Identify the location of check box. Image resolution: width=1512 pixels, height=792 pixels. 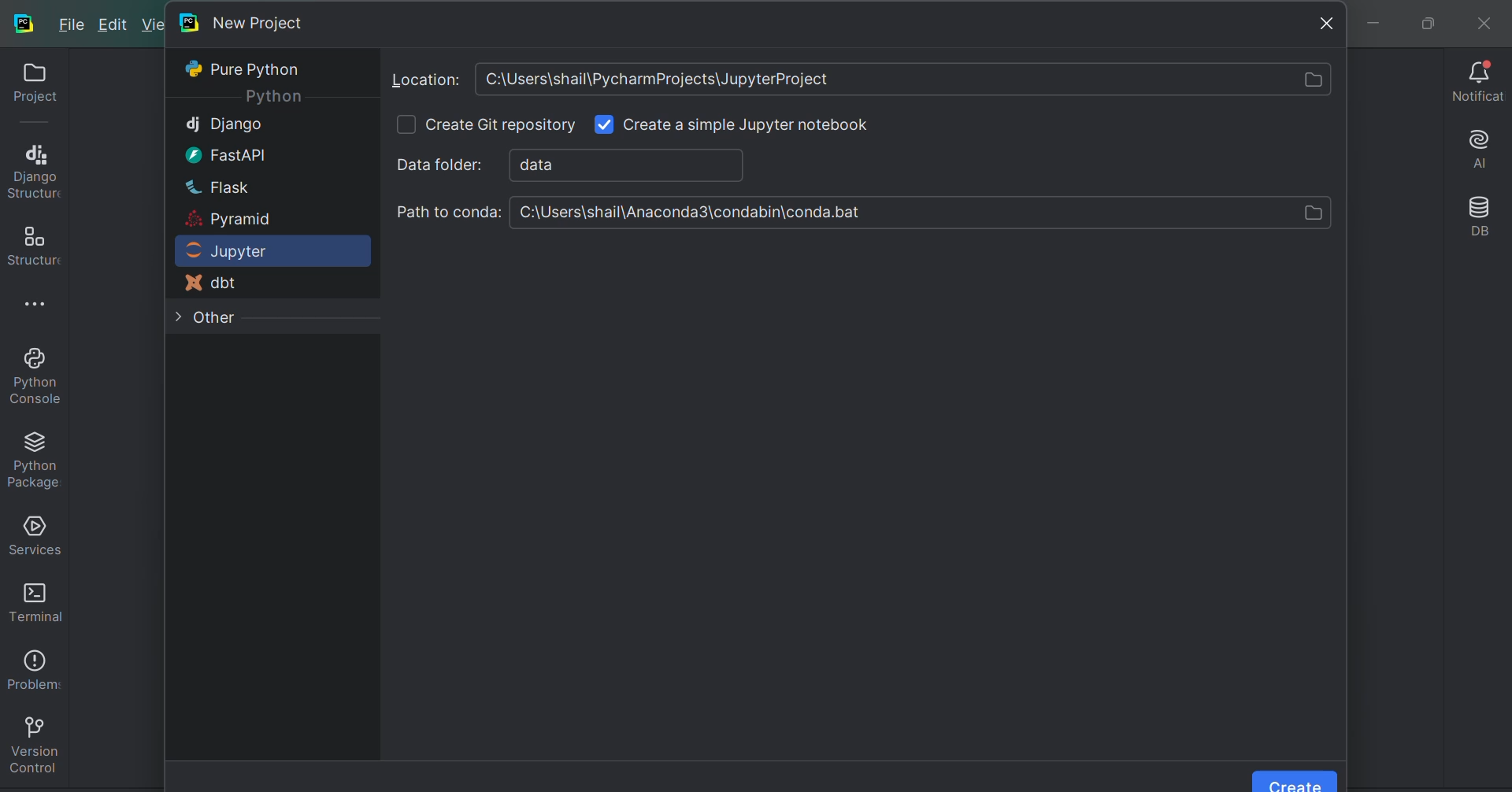
(603, 125).